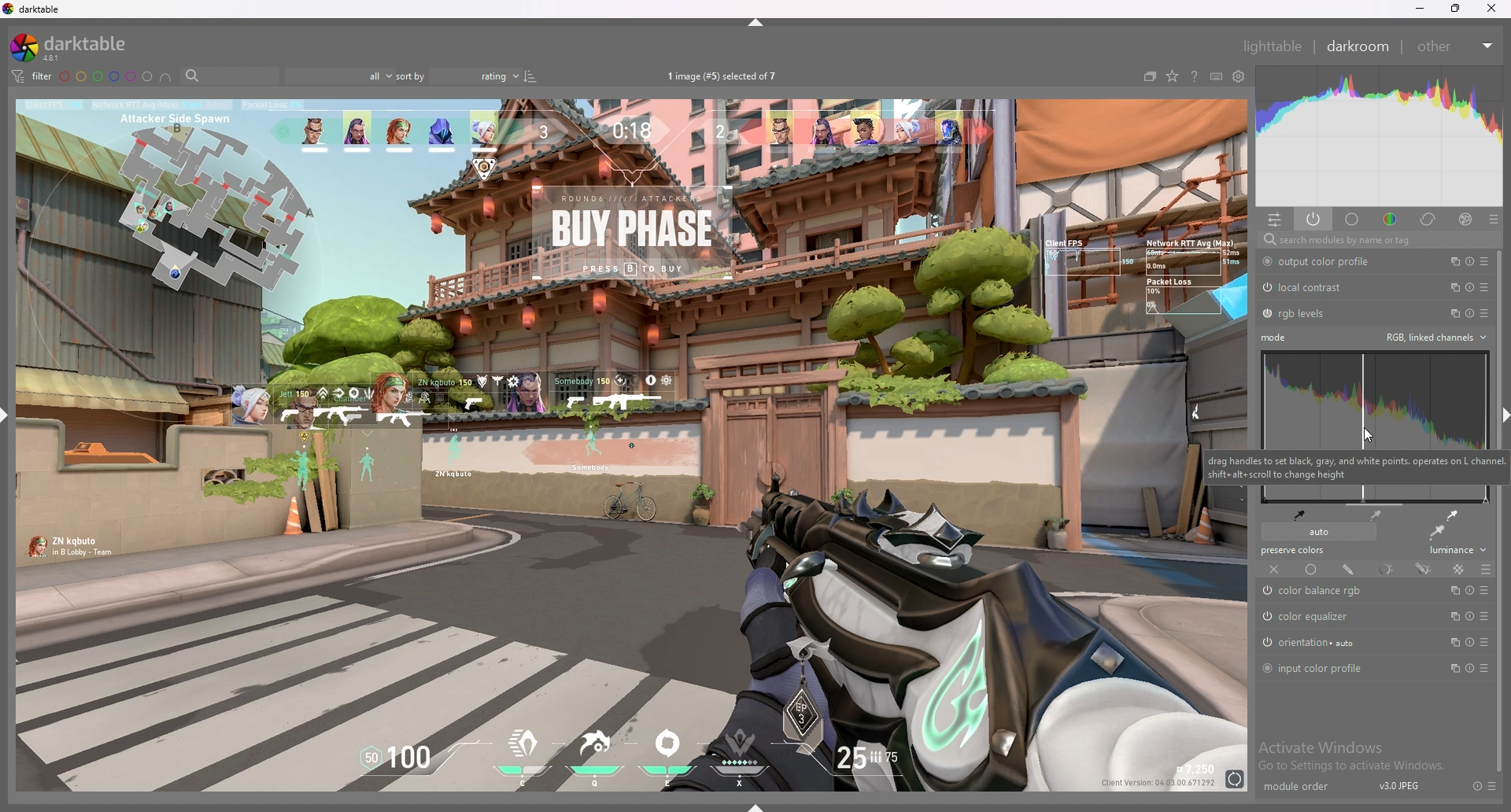 This screenshot has height=812, width=1511. I want to click on reset, so click(5235, 2363).